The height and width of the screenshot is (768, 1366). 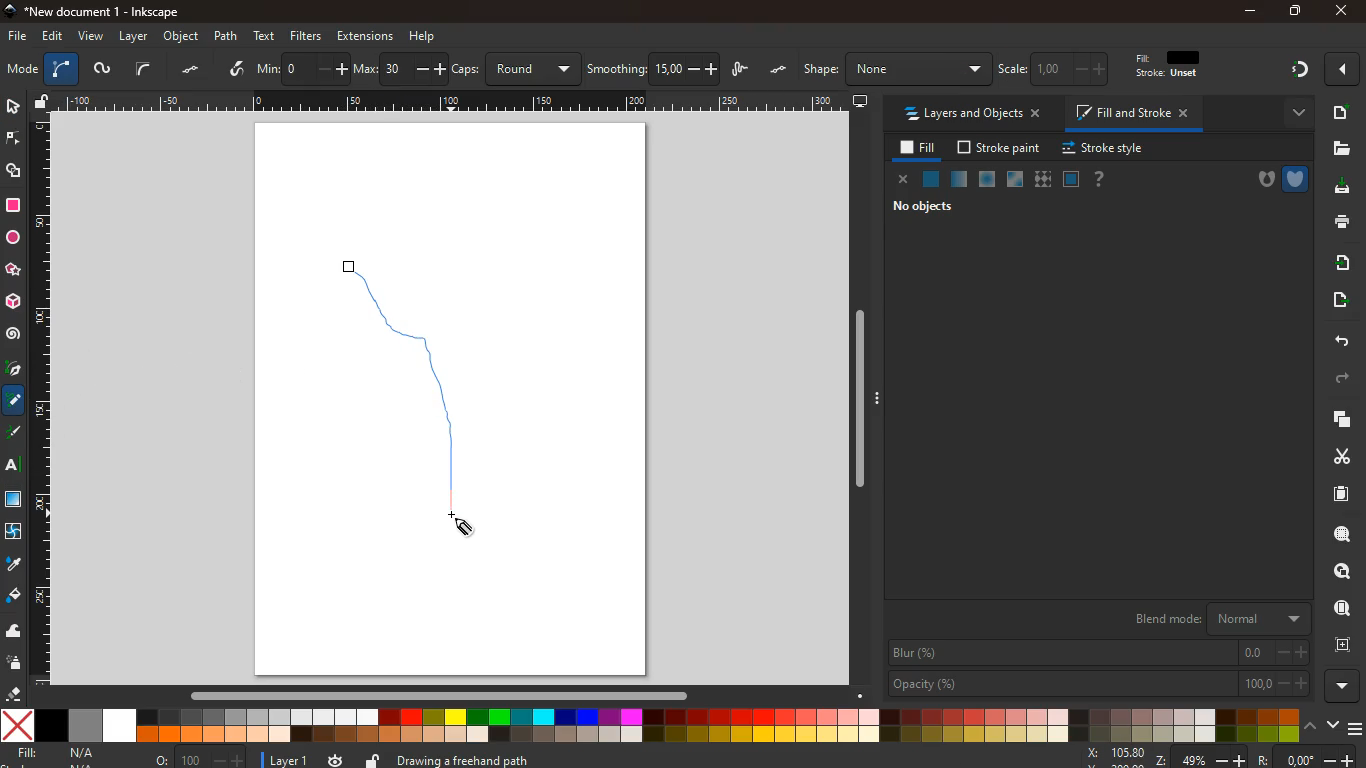 I want to click on glass, so click(x=1017, y=180).